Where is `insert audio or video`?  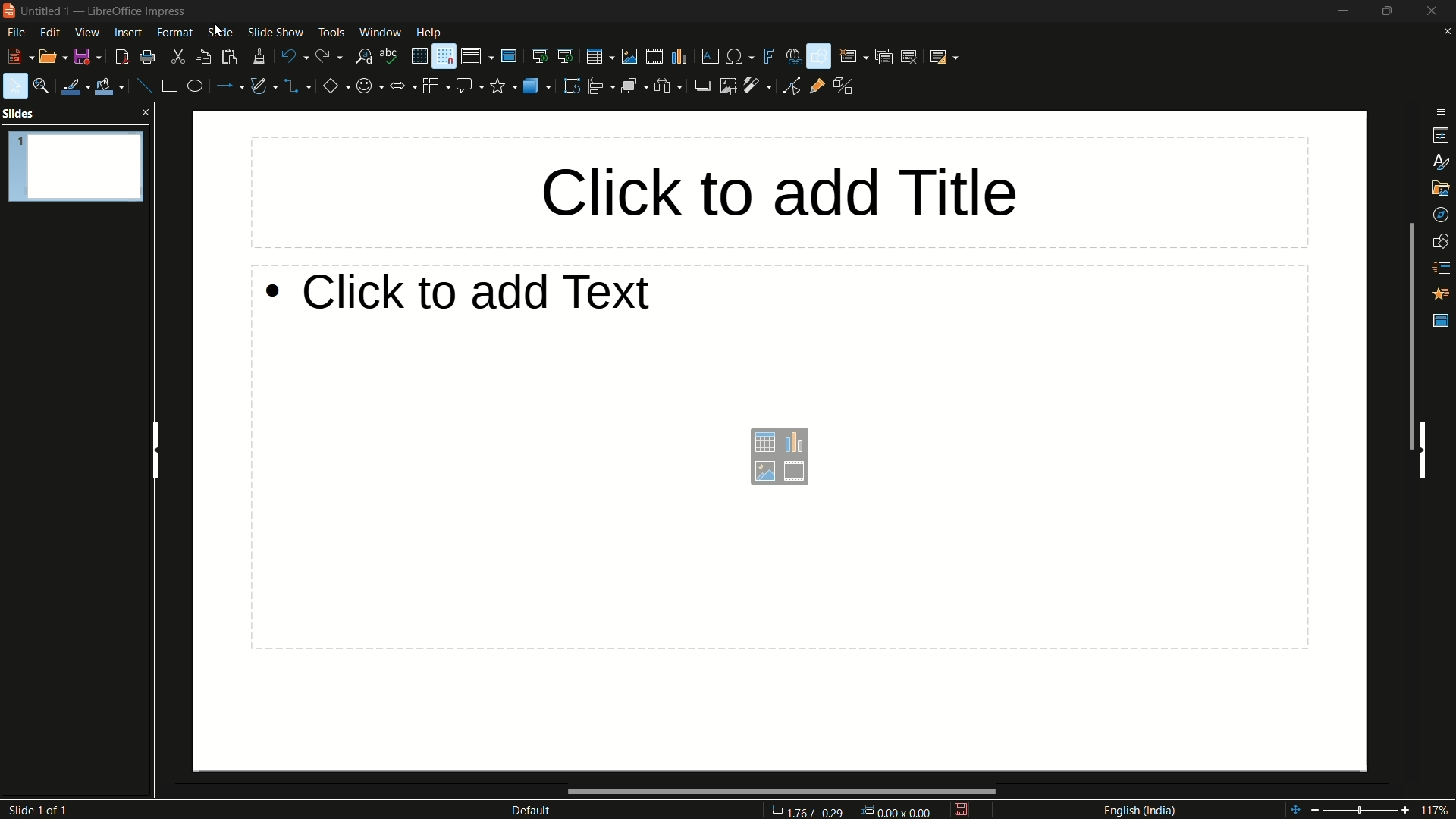
insert audio or video is located at coordinates (654, 56).